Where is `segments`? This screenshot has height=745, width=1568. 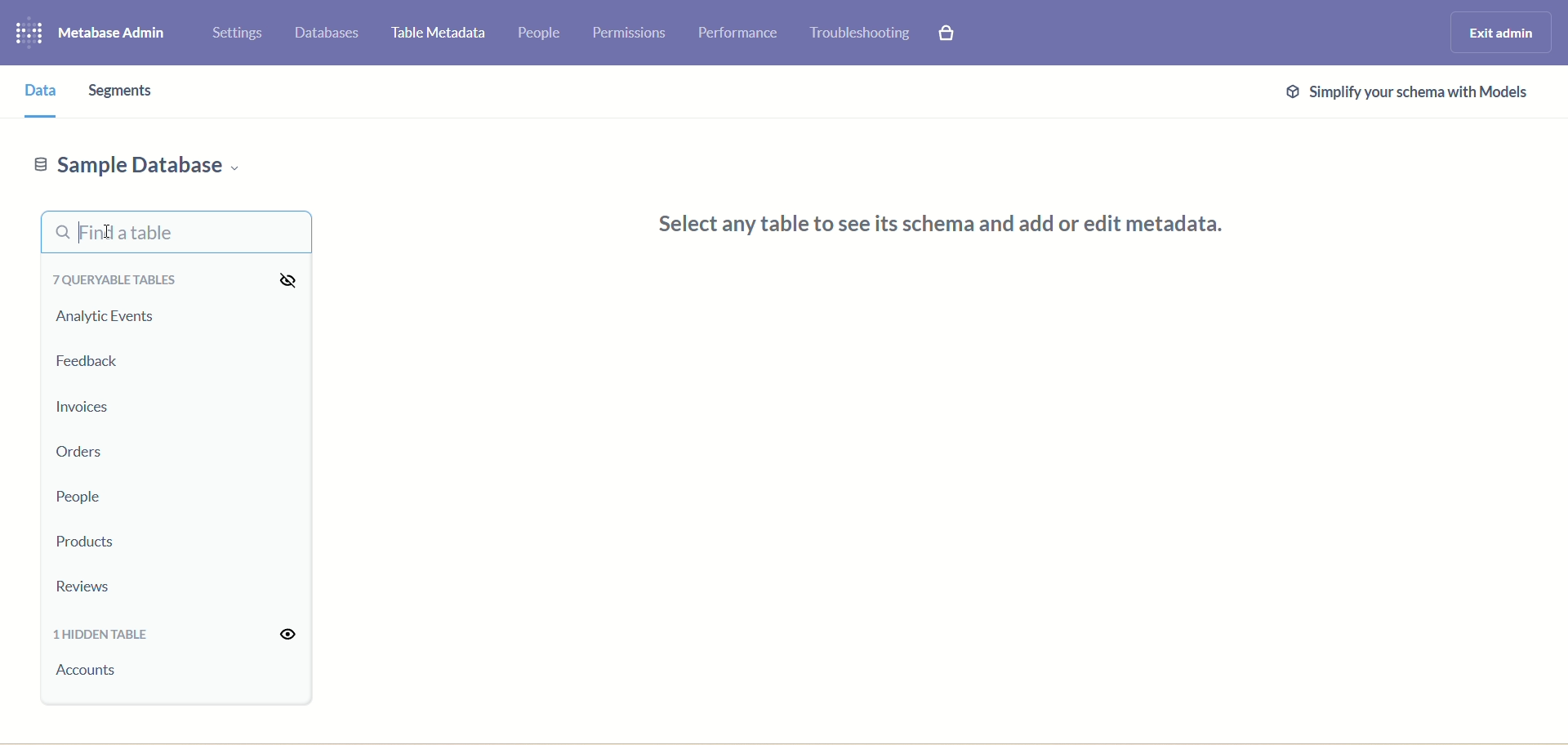
segments is located at coordinates (130, 94).